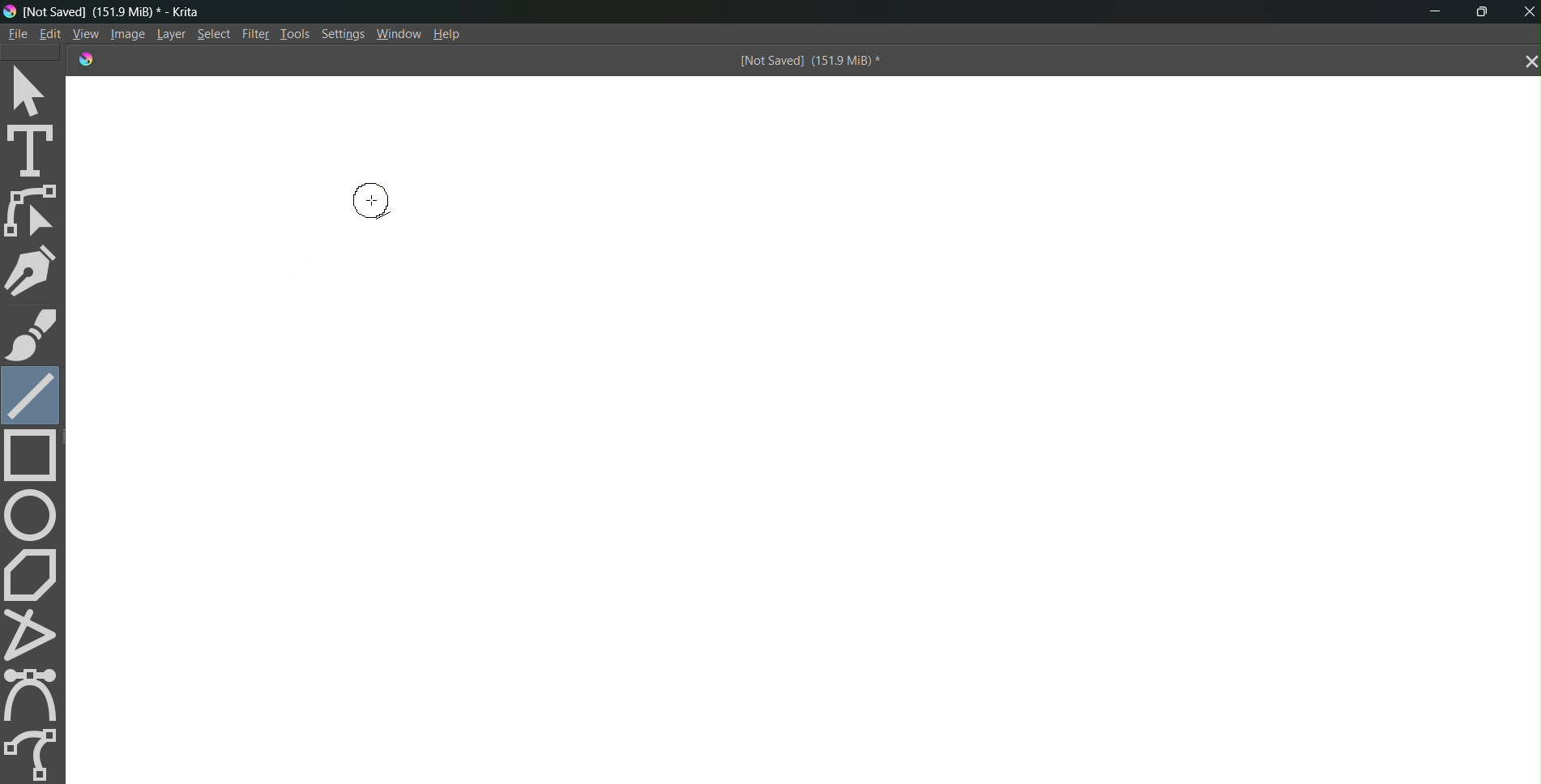  What do you see at coordinates (32, 514) in the screenshot?
I see `circle` at bounding box center [32, 514].